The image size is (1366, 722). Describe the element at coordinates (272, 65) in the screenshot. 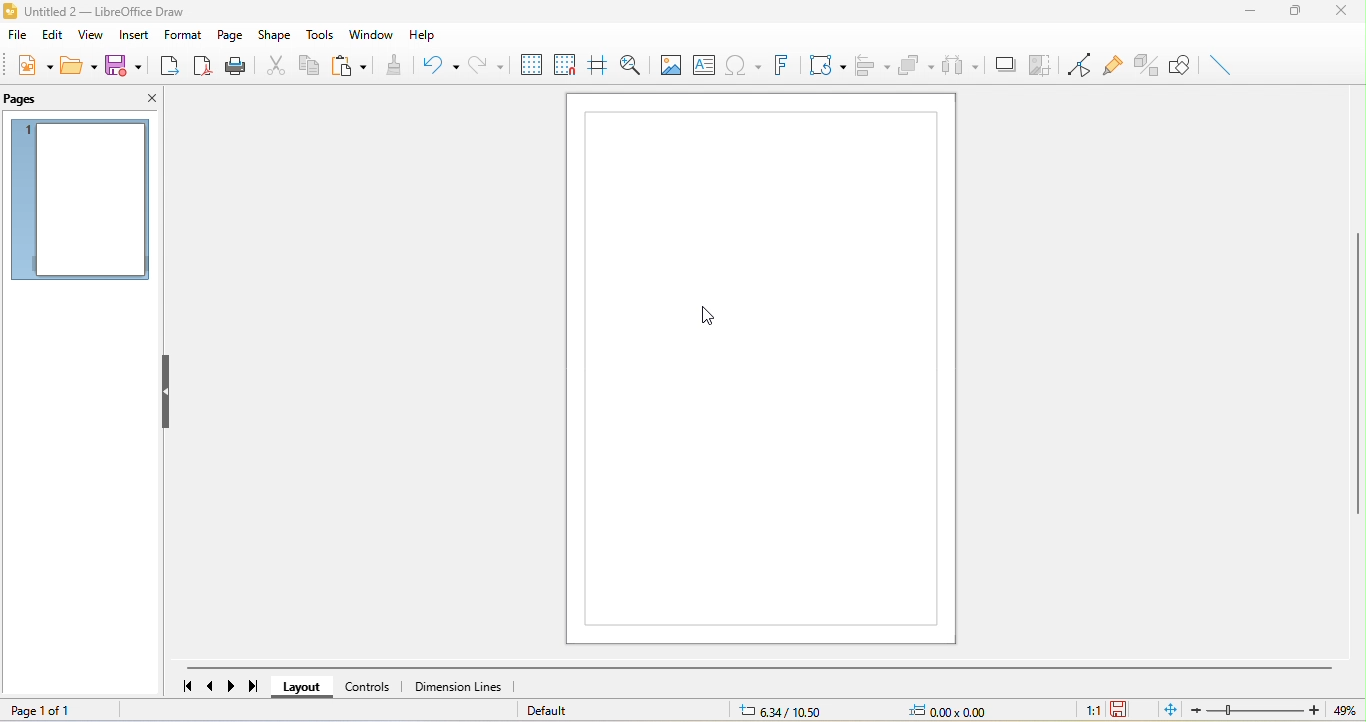

I see `cut` at that location.